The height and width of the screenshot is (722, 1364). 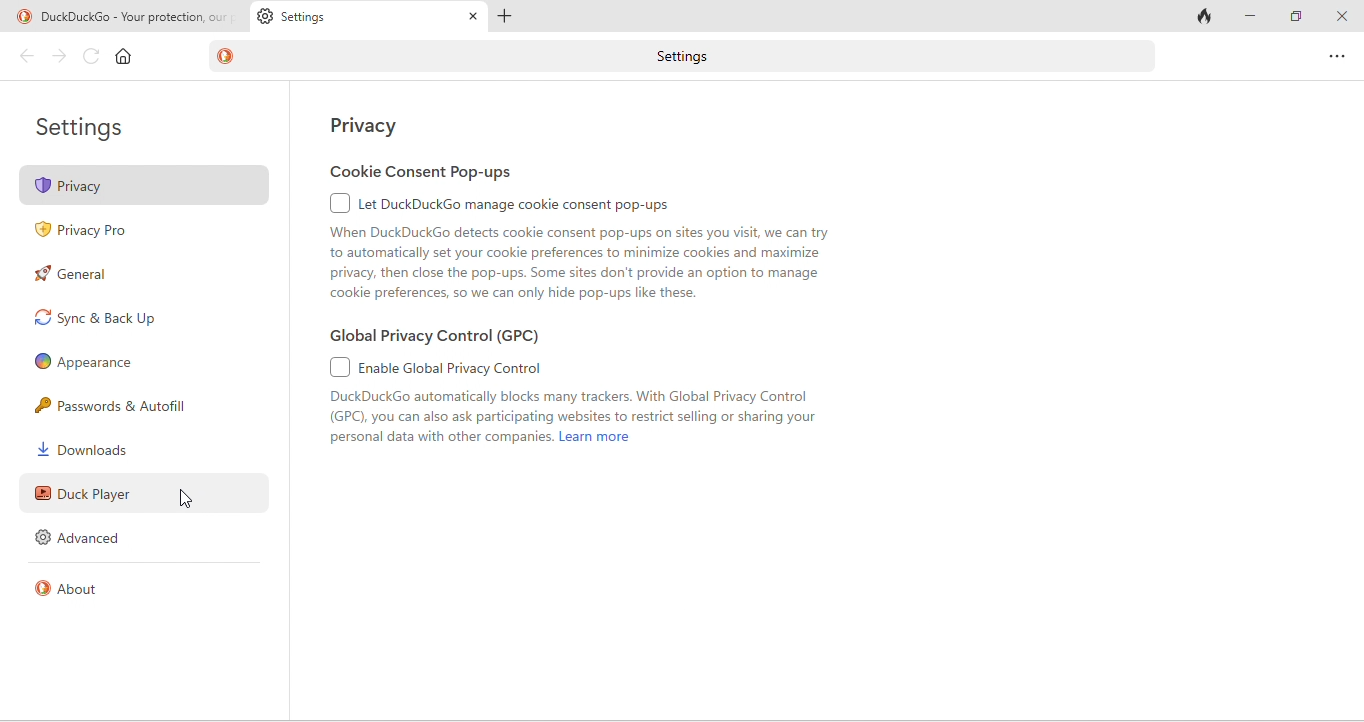 What do you see at coordinates (150, 493) in the screenshot?
I see `duck player` at bounding box center [150, 493].